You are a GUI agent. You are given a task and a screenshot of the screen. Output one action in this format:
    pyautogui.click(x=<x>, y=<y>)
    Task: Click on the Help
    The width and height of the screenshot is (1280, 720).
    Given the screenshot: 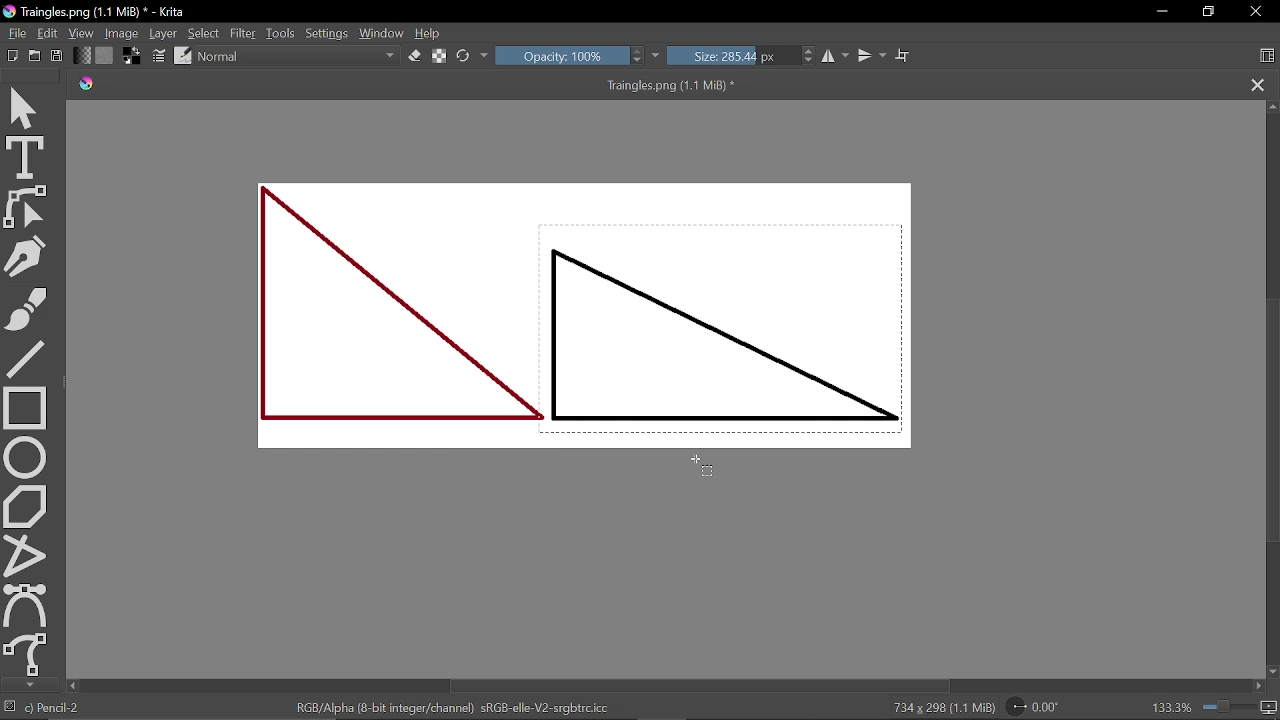 What is the action you would take?
    pyautogui.click(x=430, y=34)
    